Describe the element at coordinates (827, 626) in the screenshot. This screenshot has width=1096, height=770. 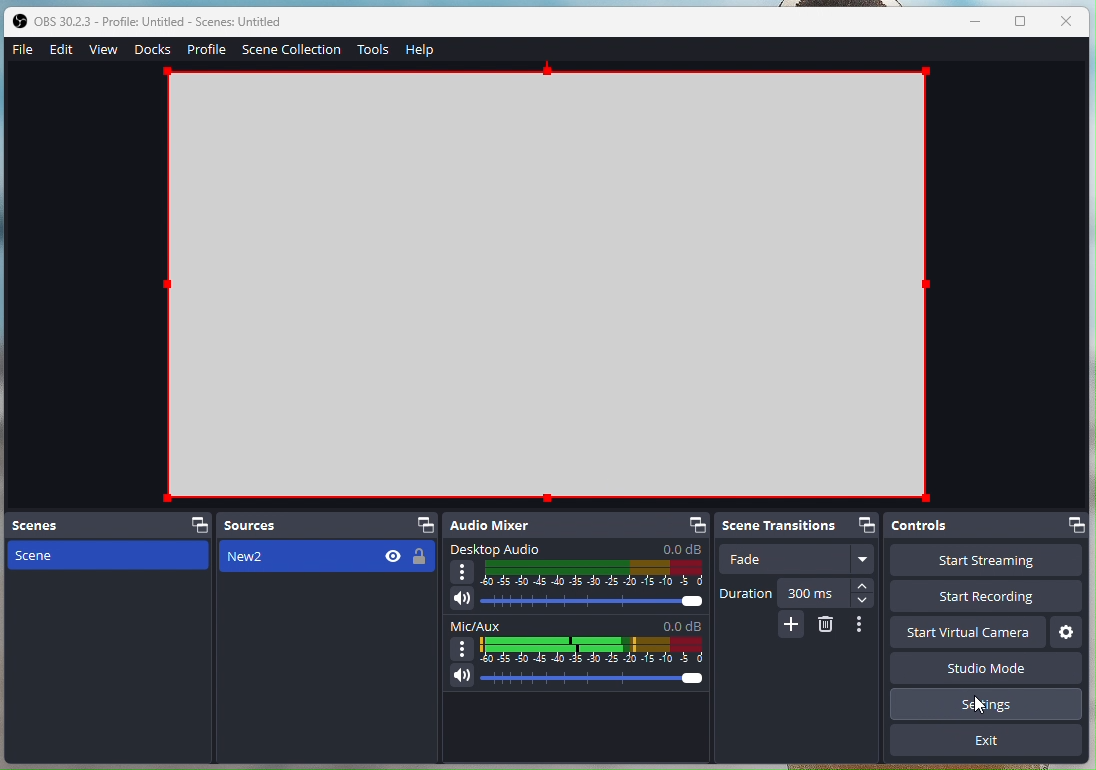
I see `erase` at that location.